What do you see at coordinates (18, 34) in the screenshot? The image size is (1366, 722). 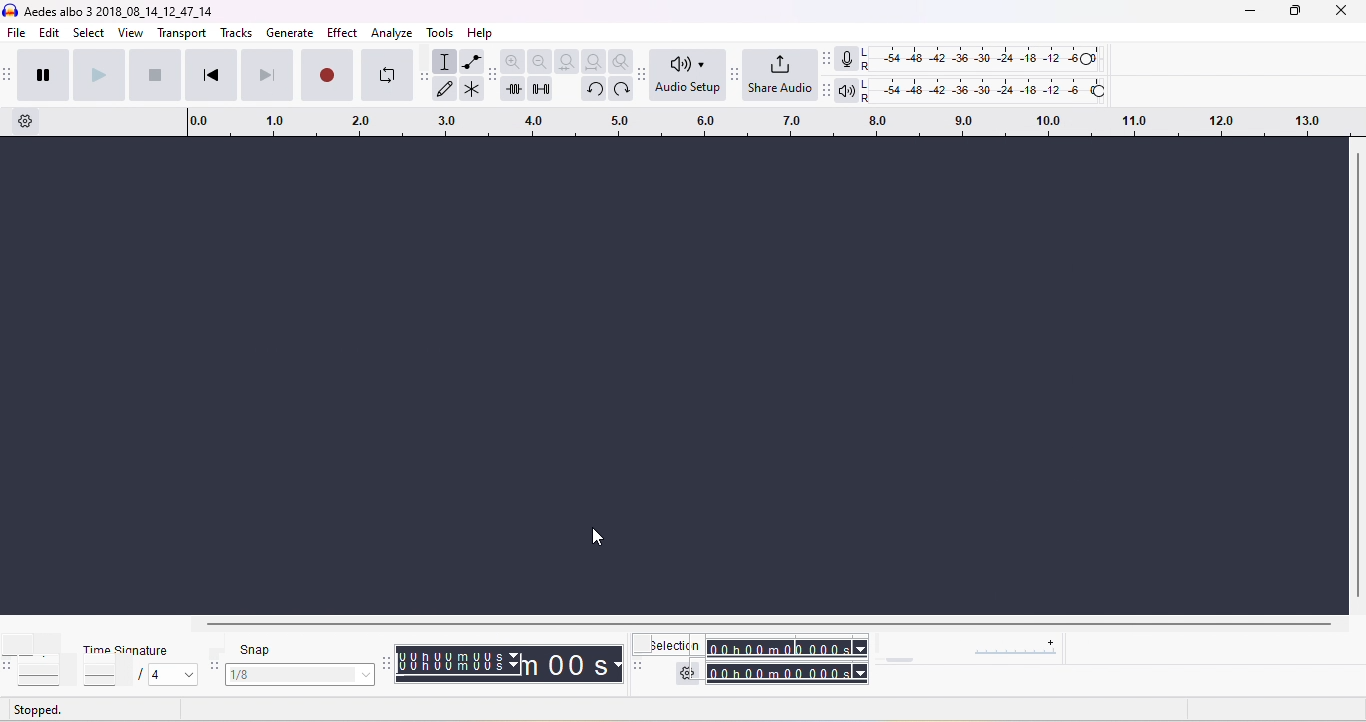 I see `file` at bounding box center [18, 34].